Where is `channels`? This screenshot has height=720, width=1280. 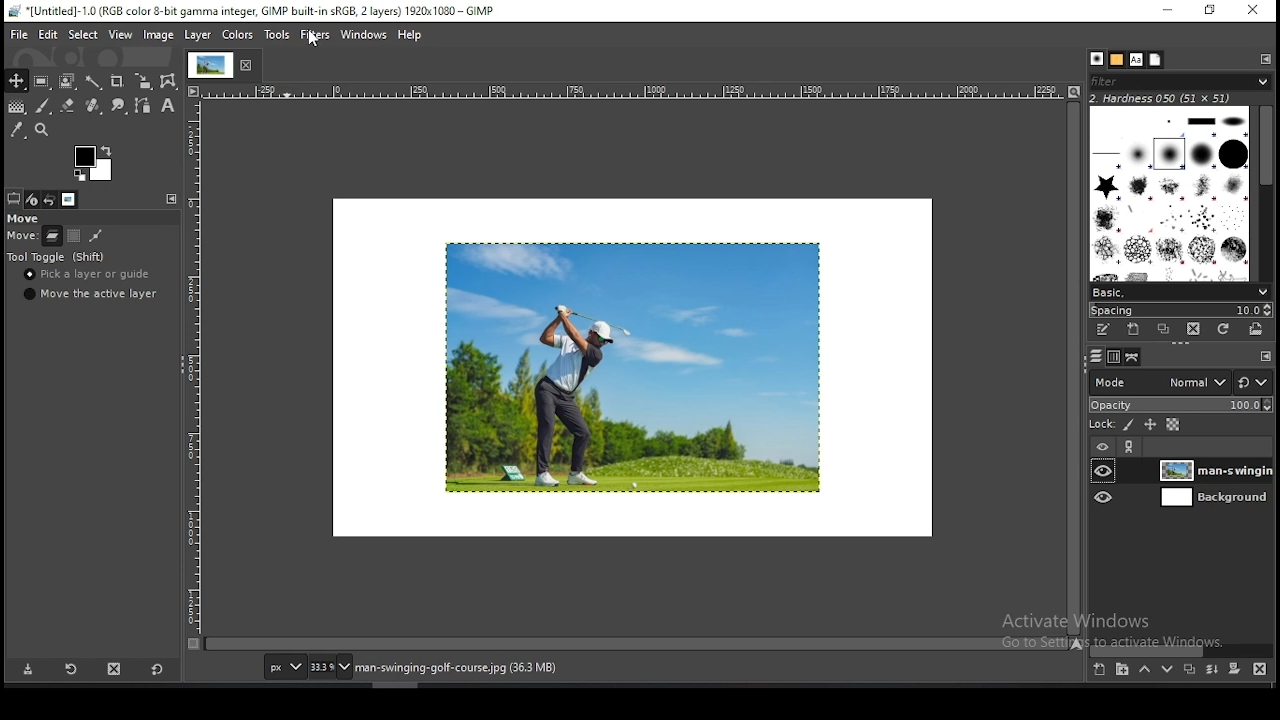 channels is located at coordinates (1112, 356).